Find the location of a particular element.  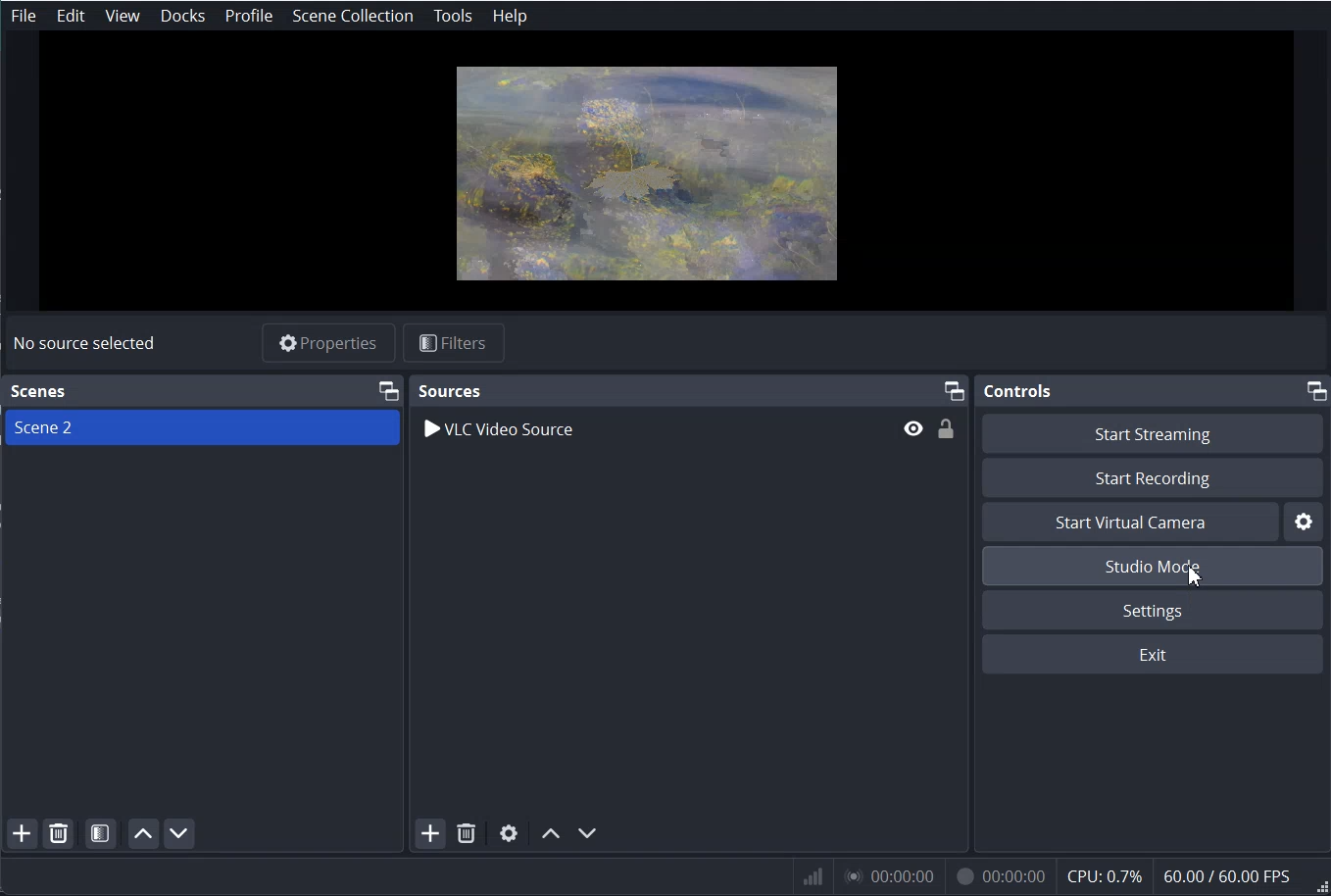

Tools is located at coordinates (453, 16).